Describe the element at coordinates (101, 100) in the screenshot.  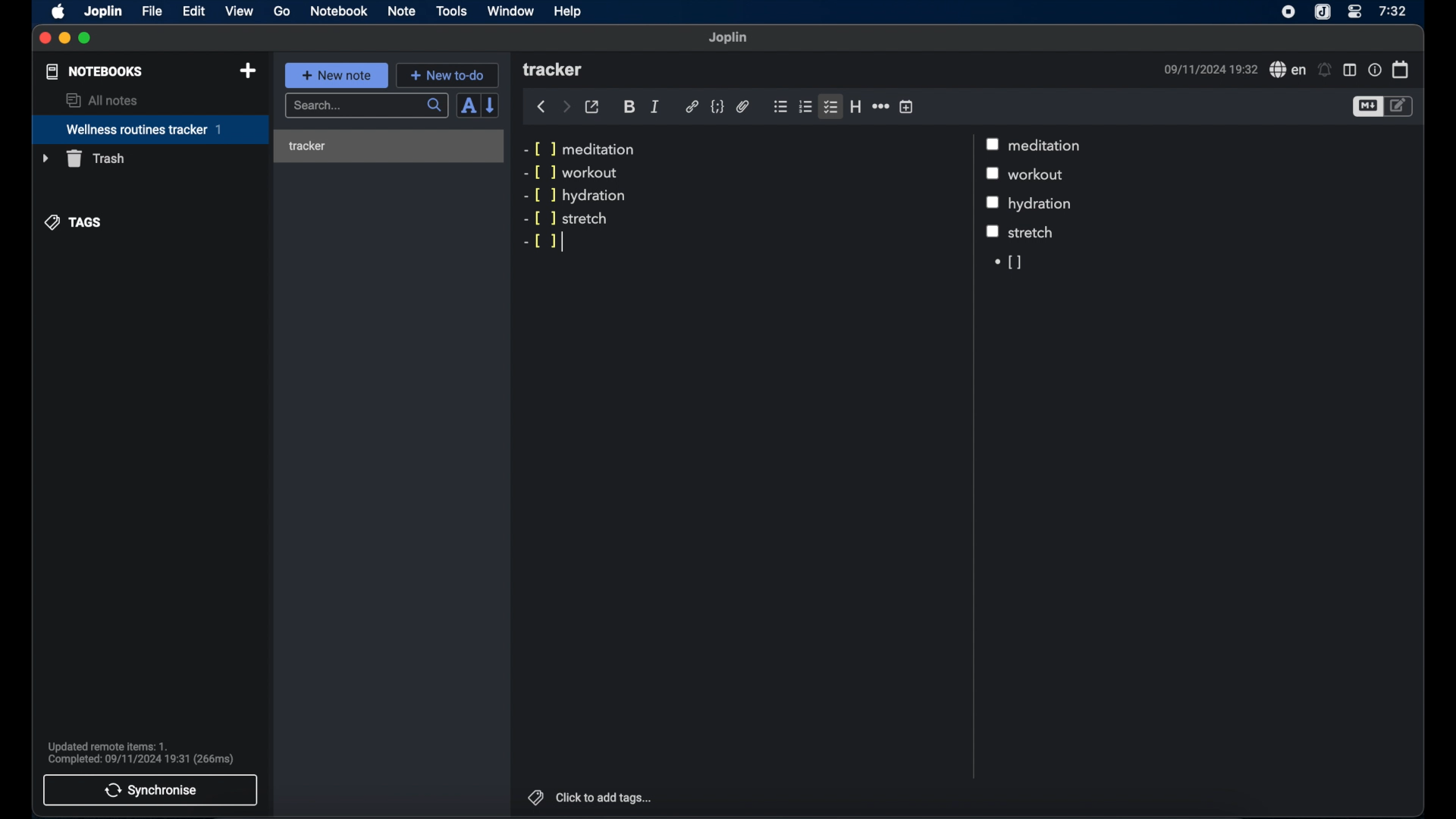
I see `all notes` at that location.